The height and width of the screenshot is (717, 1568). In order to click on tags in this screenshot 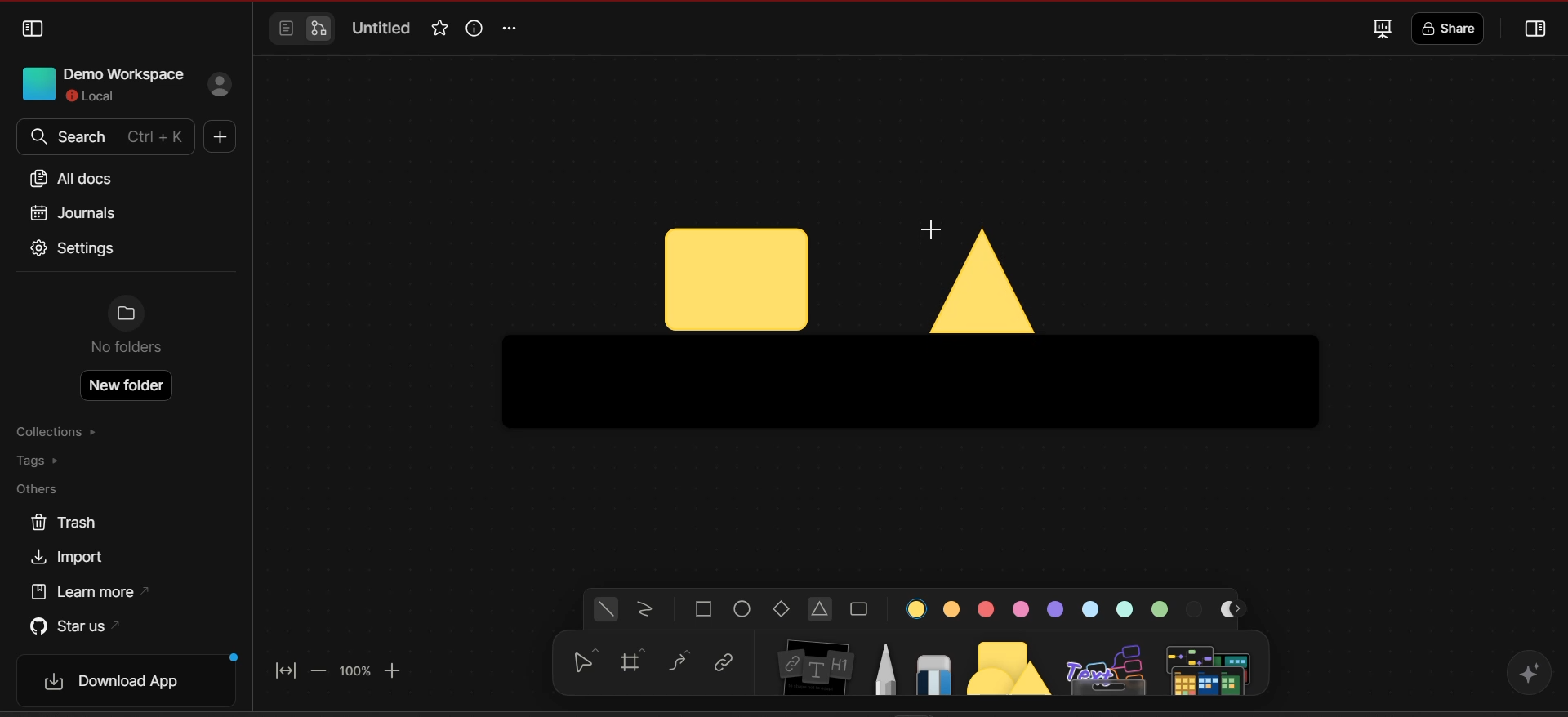, I will do `click(50, 461)`.